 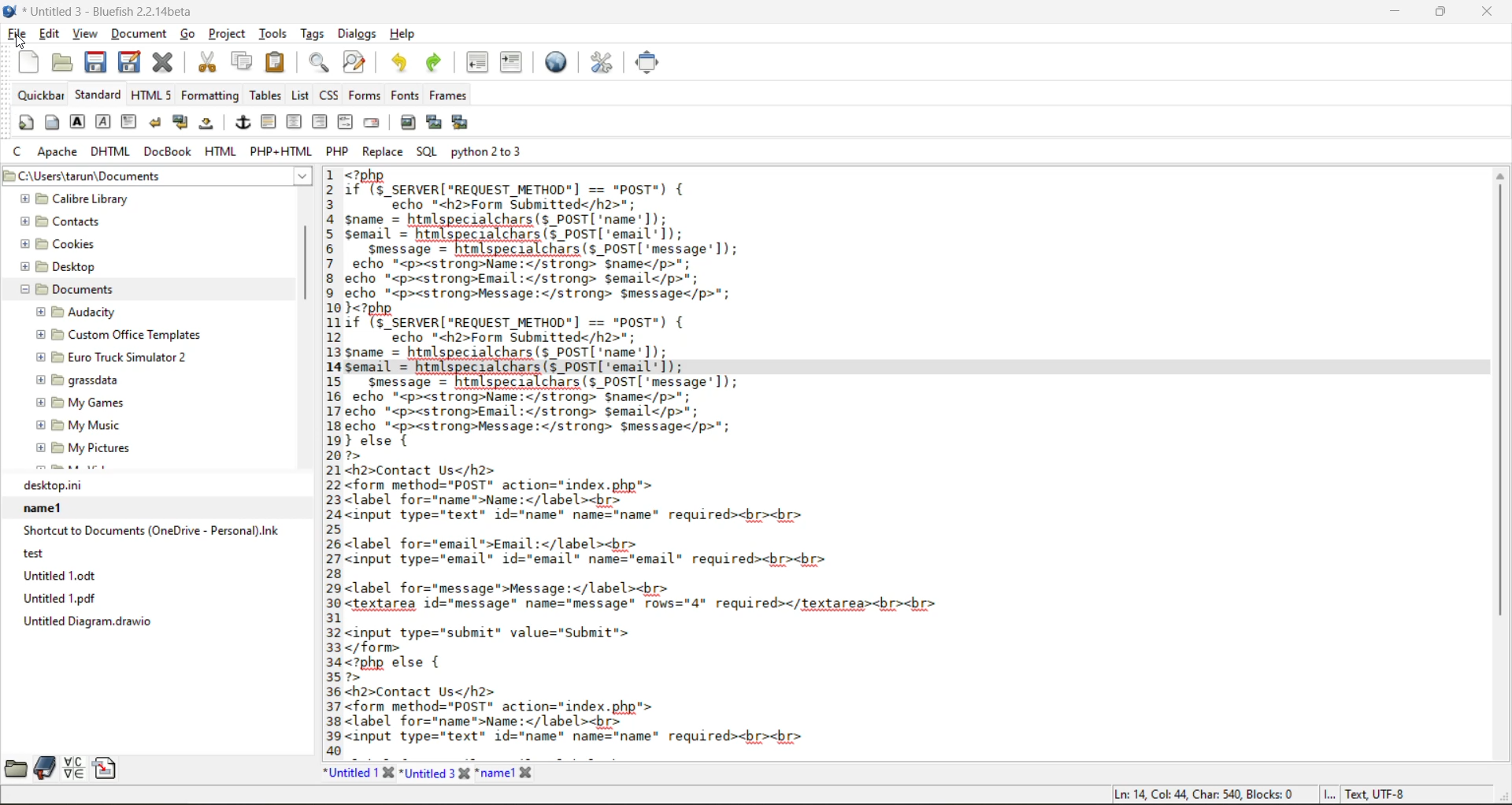 I want to click on metadata, so click(x=1260, y=795).